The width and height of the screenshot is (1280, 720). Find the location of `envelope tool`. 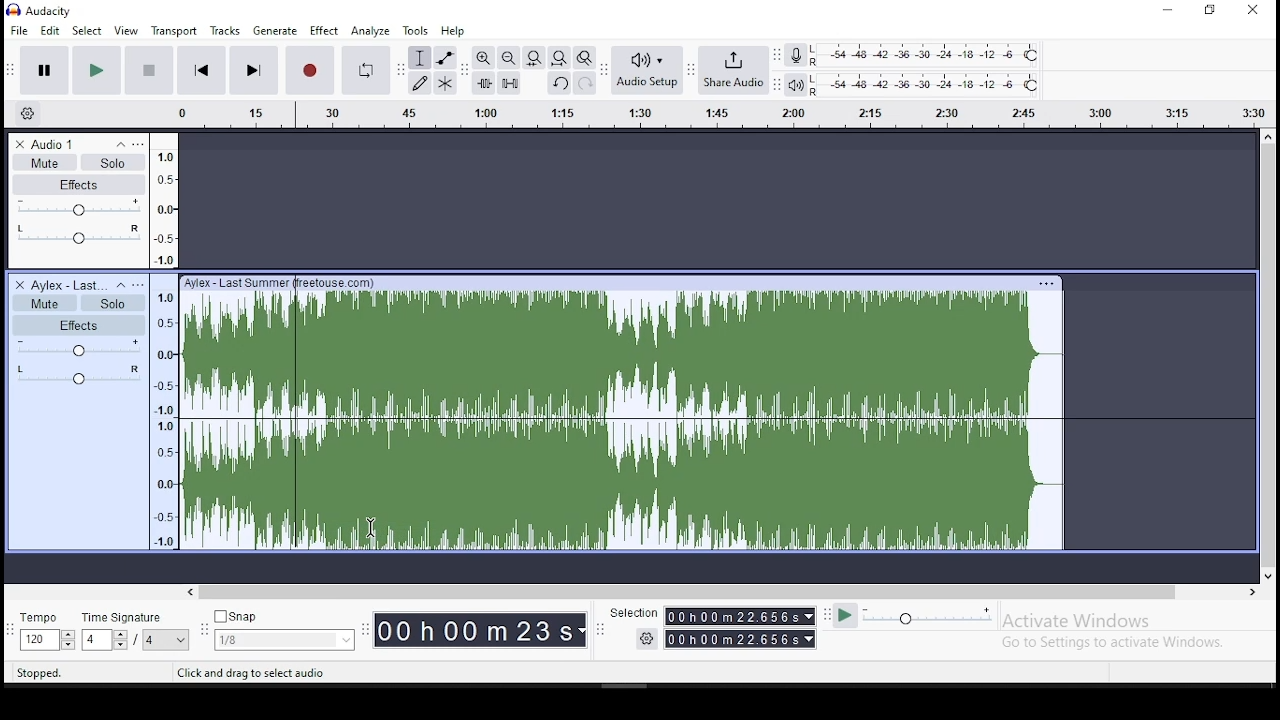

envelope tool is located at coordinates (444, 58).